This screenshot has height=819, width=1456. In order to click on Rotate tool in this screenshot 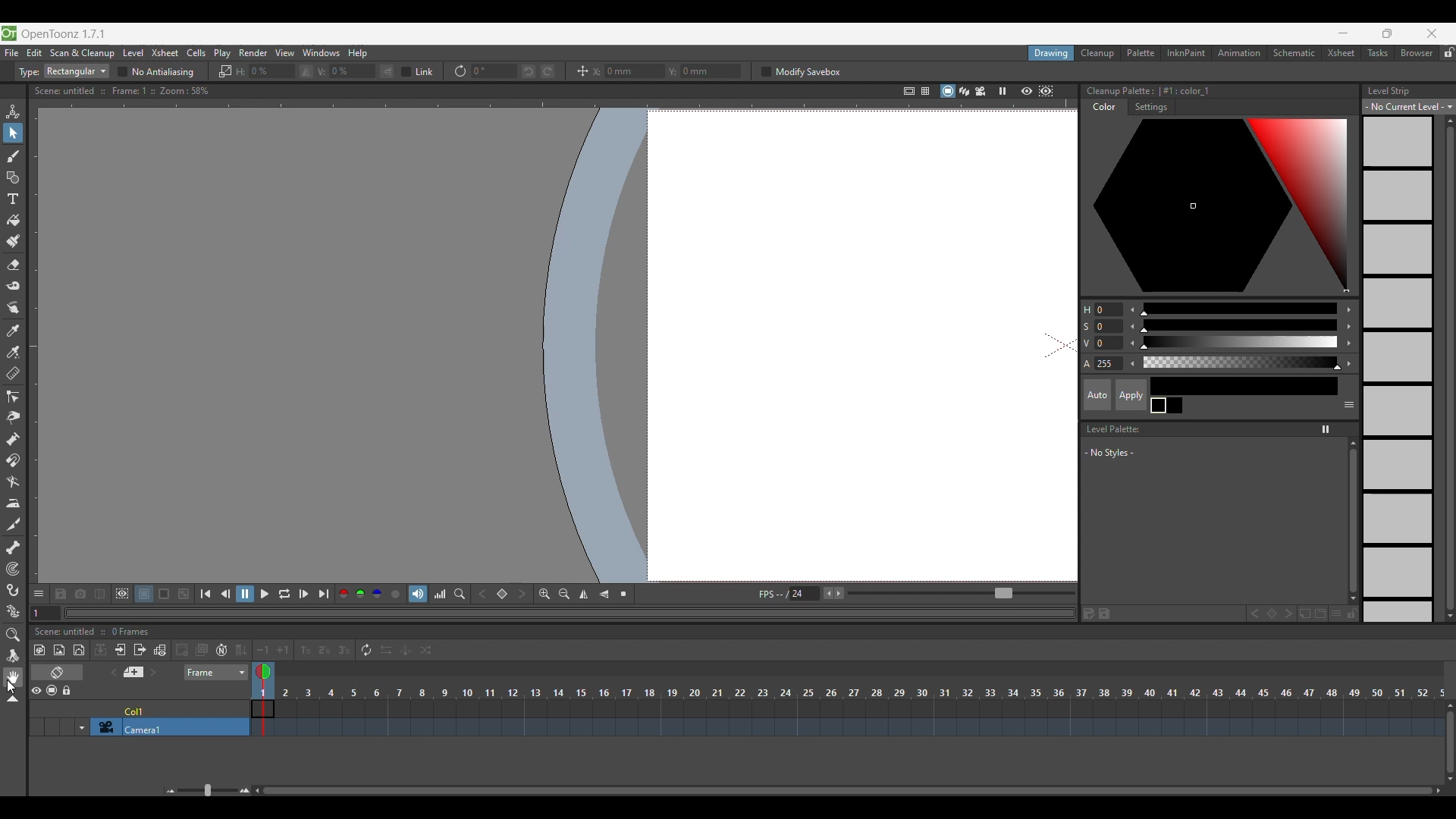, I will do `click(13, 656)`.